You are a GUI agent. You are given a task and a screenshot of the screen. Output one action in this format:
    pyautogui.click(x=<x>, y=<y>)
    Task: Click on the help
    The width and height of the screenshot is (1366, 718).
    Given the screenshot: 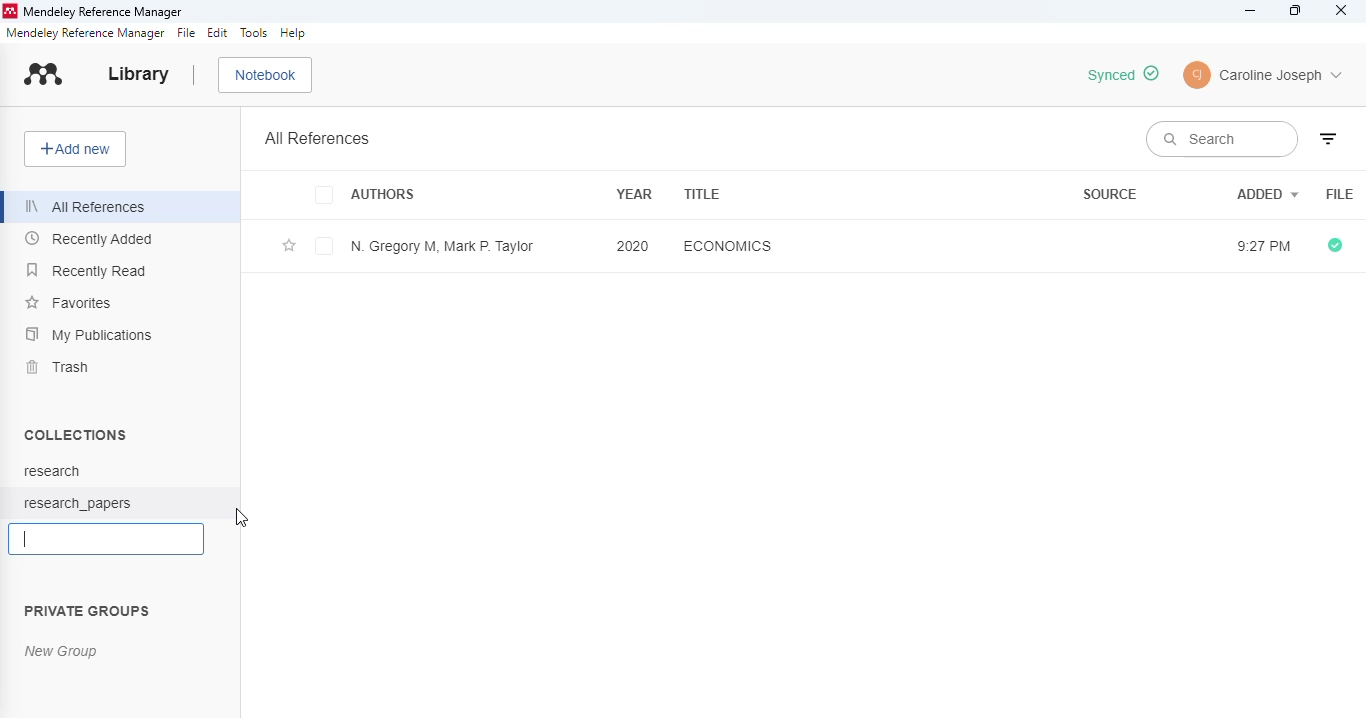 What is the action you would take?
    pyautogui.click(x=293, y=33)
    